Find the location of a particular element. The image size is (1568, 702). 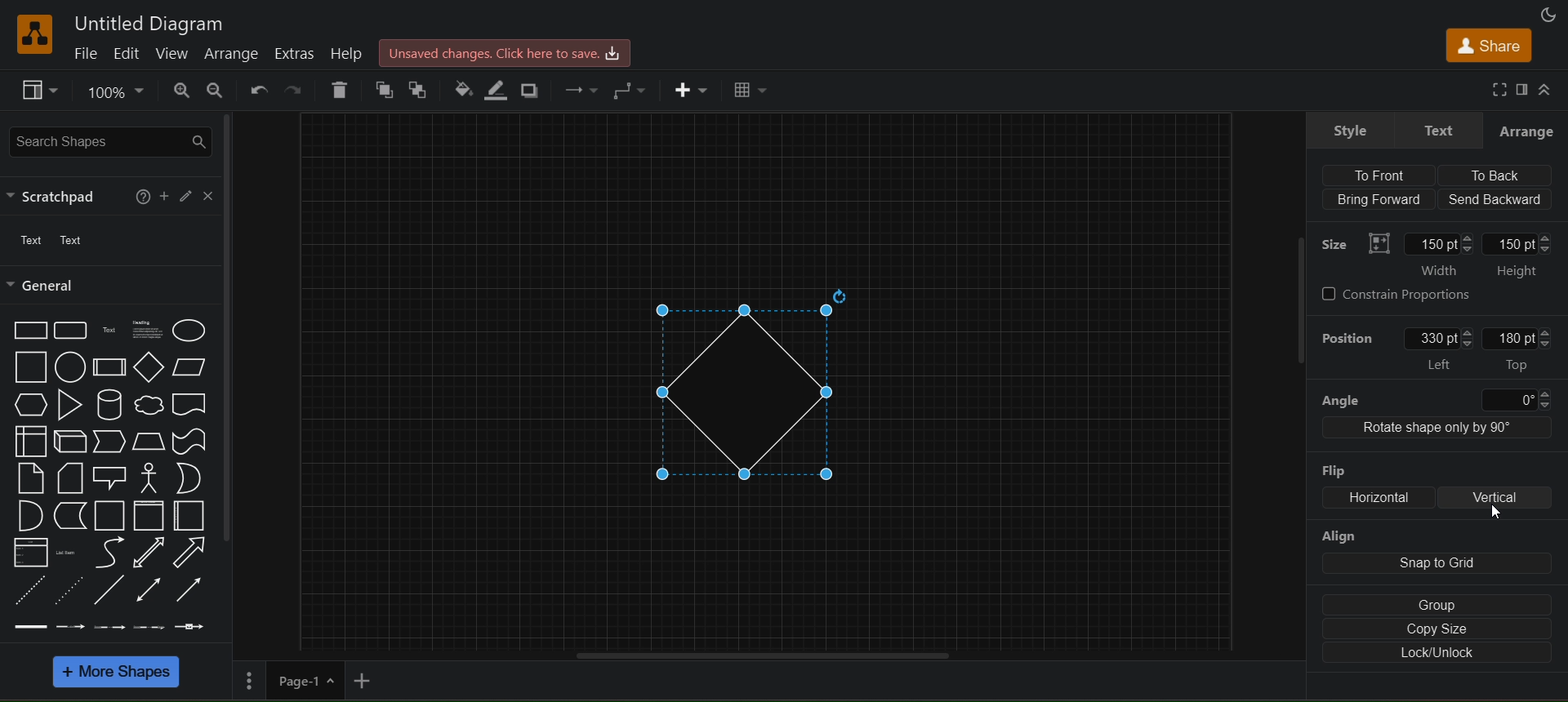

curve is located at coordinates (106, 551).